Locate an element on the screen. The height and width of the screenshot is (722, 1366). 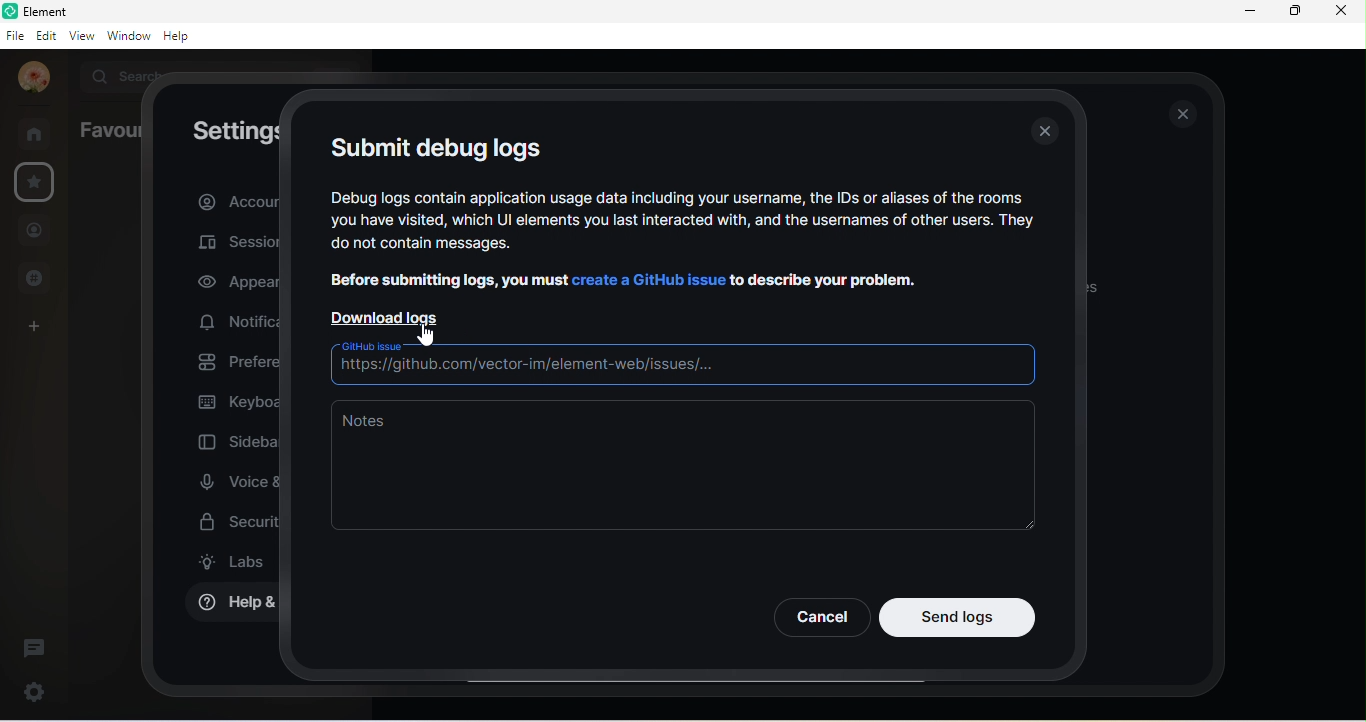
profile photo is located at coordinates (28, 78).